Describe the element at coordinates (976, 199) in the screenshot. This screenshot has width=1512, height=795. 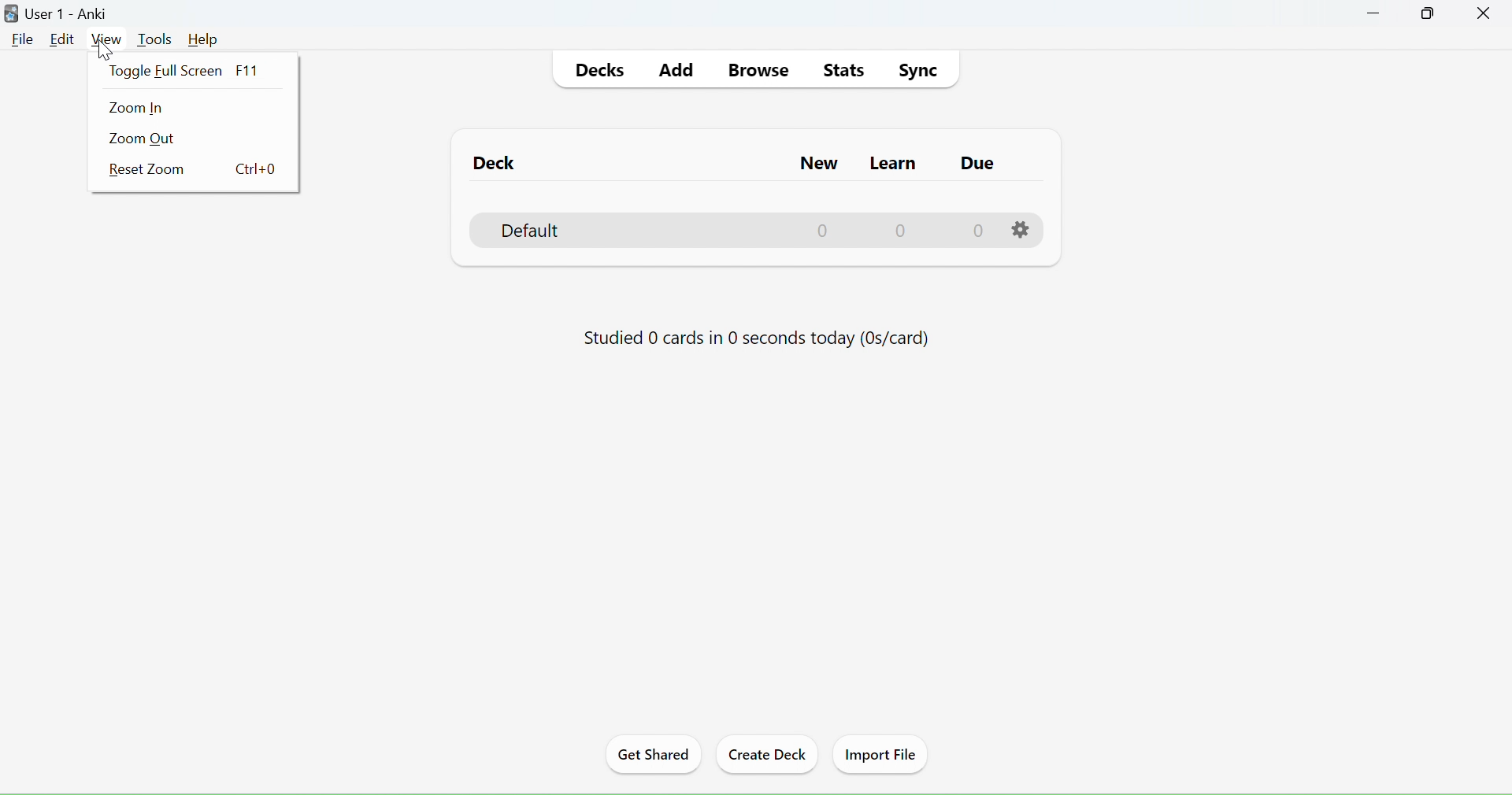
I see `due` at that location.